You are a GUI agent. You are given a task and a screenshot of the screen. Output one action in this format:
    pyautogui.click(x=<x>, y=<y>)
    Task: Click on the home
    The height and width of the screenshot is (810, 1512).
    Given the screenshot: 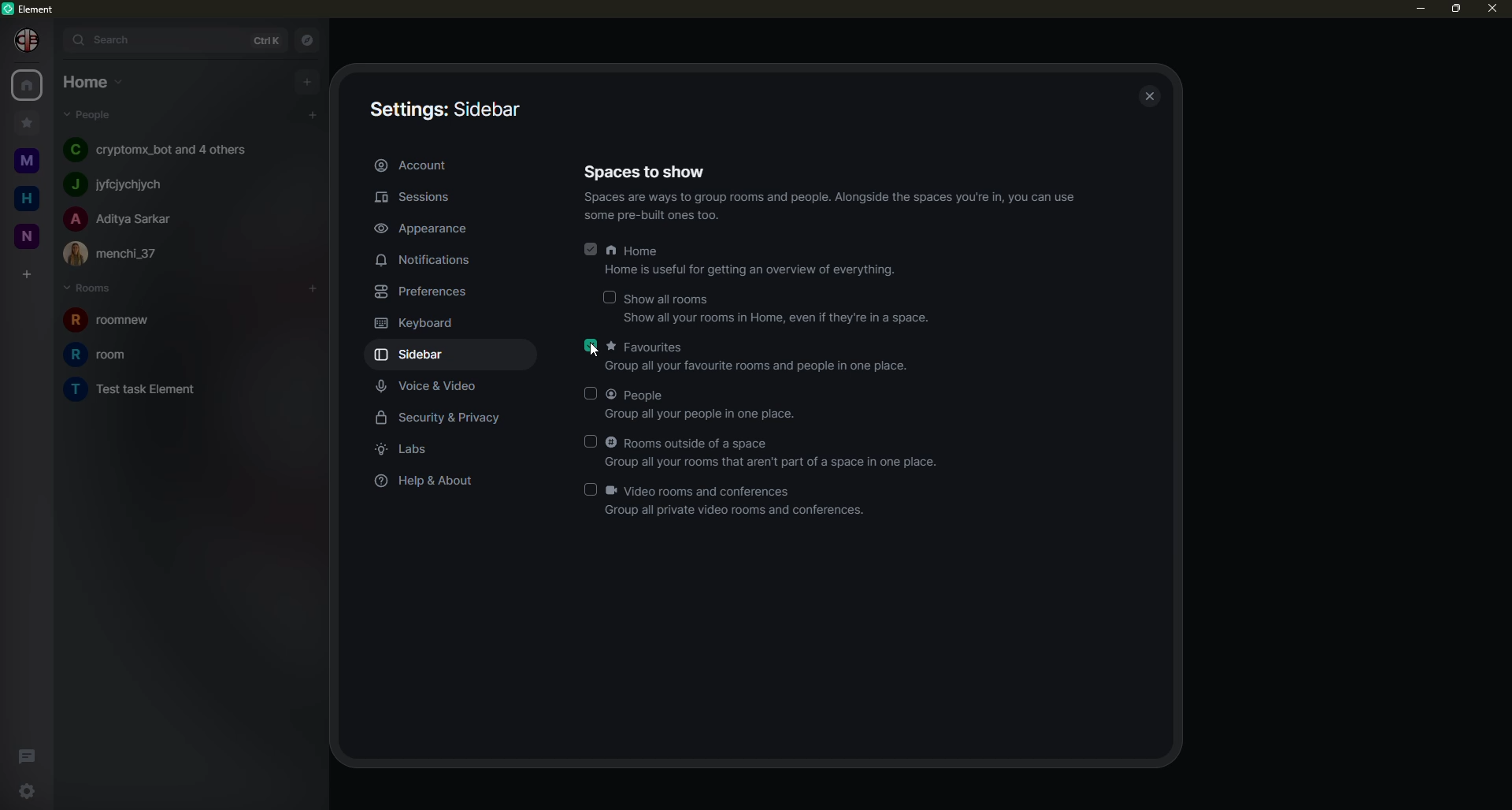 What is the action you would take?
    pyautogui.click(x=29, y=84)
    